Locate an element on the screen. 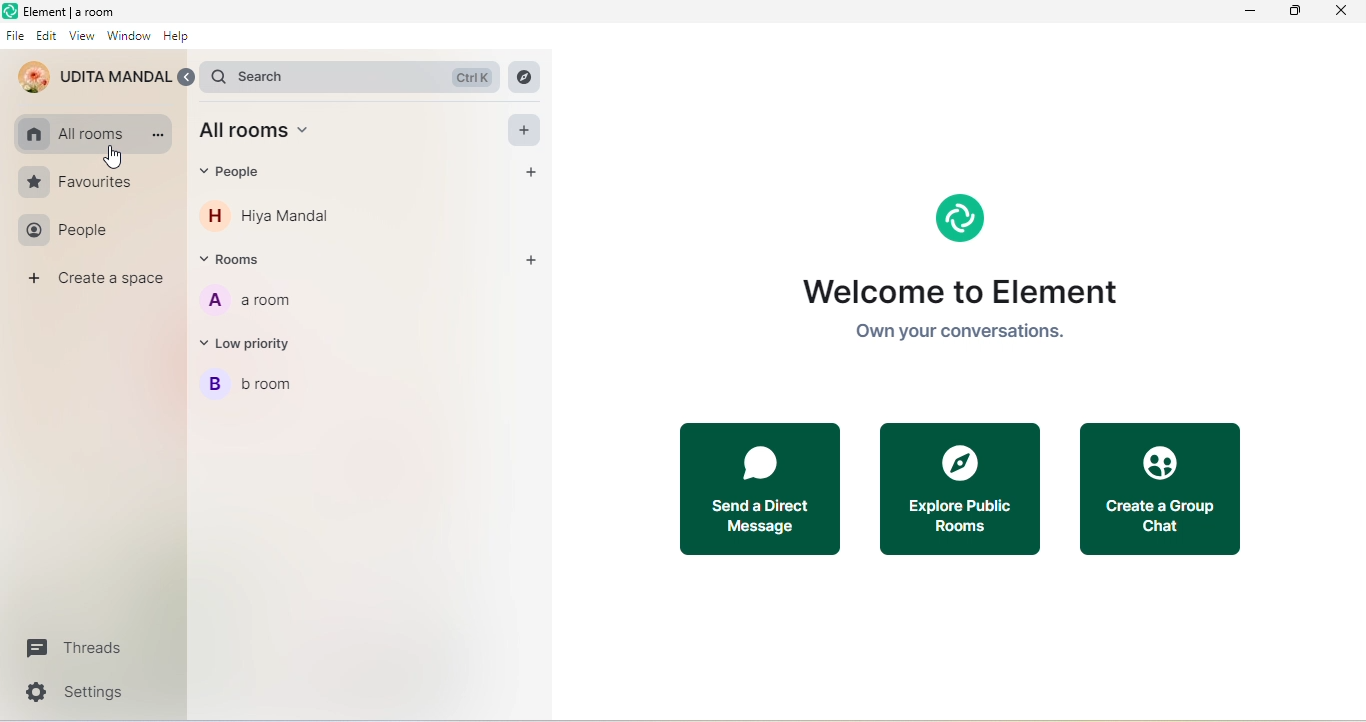 This screenshot has width=1366, height=722. All rooms  is located at coordinates (269, 132).